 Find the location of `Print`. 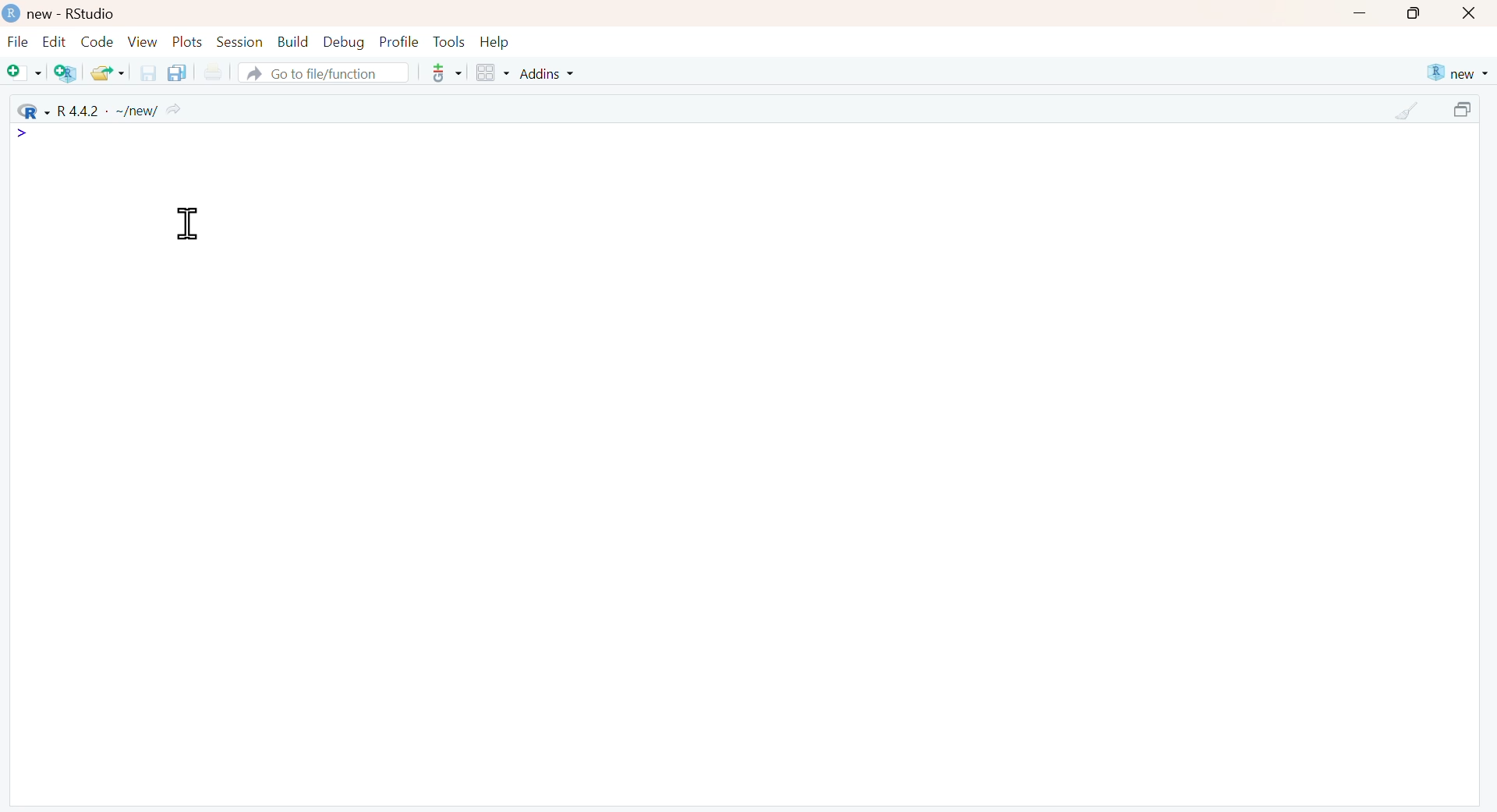

Print is located at coordinates (217, 72).